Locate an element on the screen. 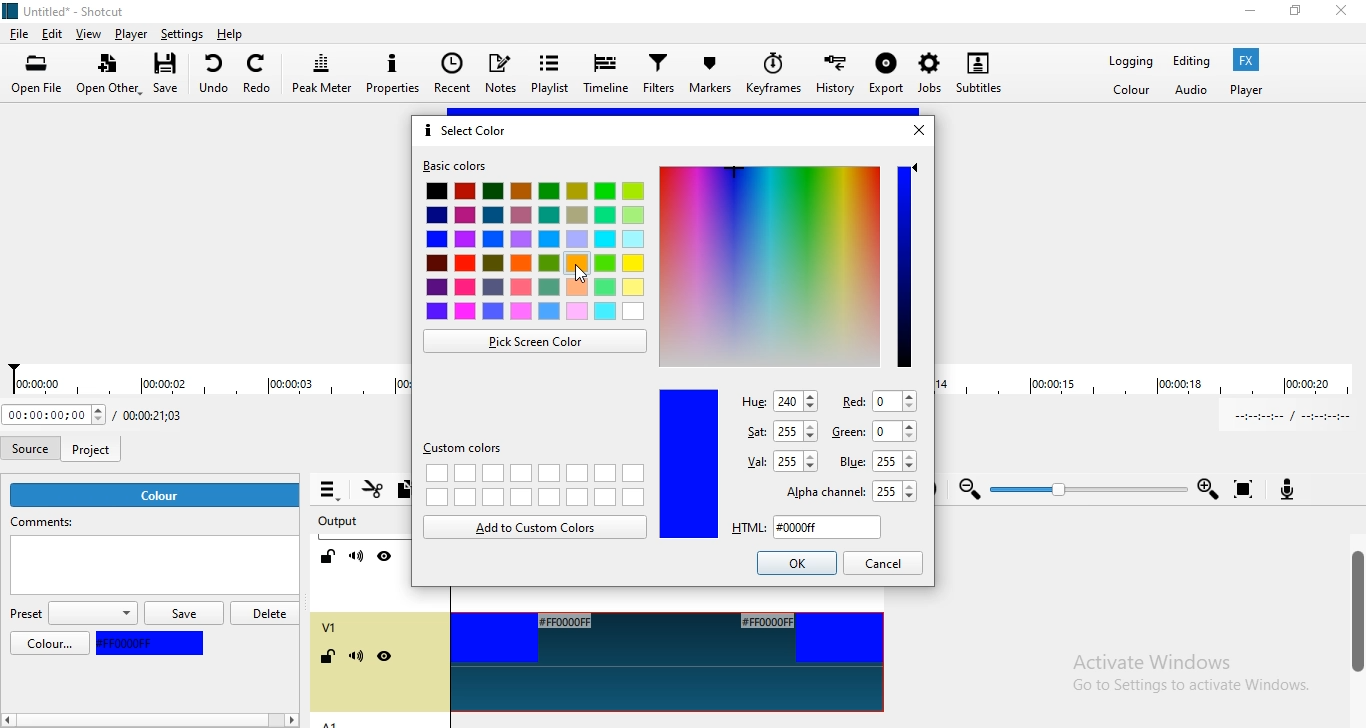 The height and width of the screenshot is (728, 1366). color is located at coordinates (51, 644).